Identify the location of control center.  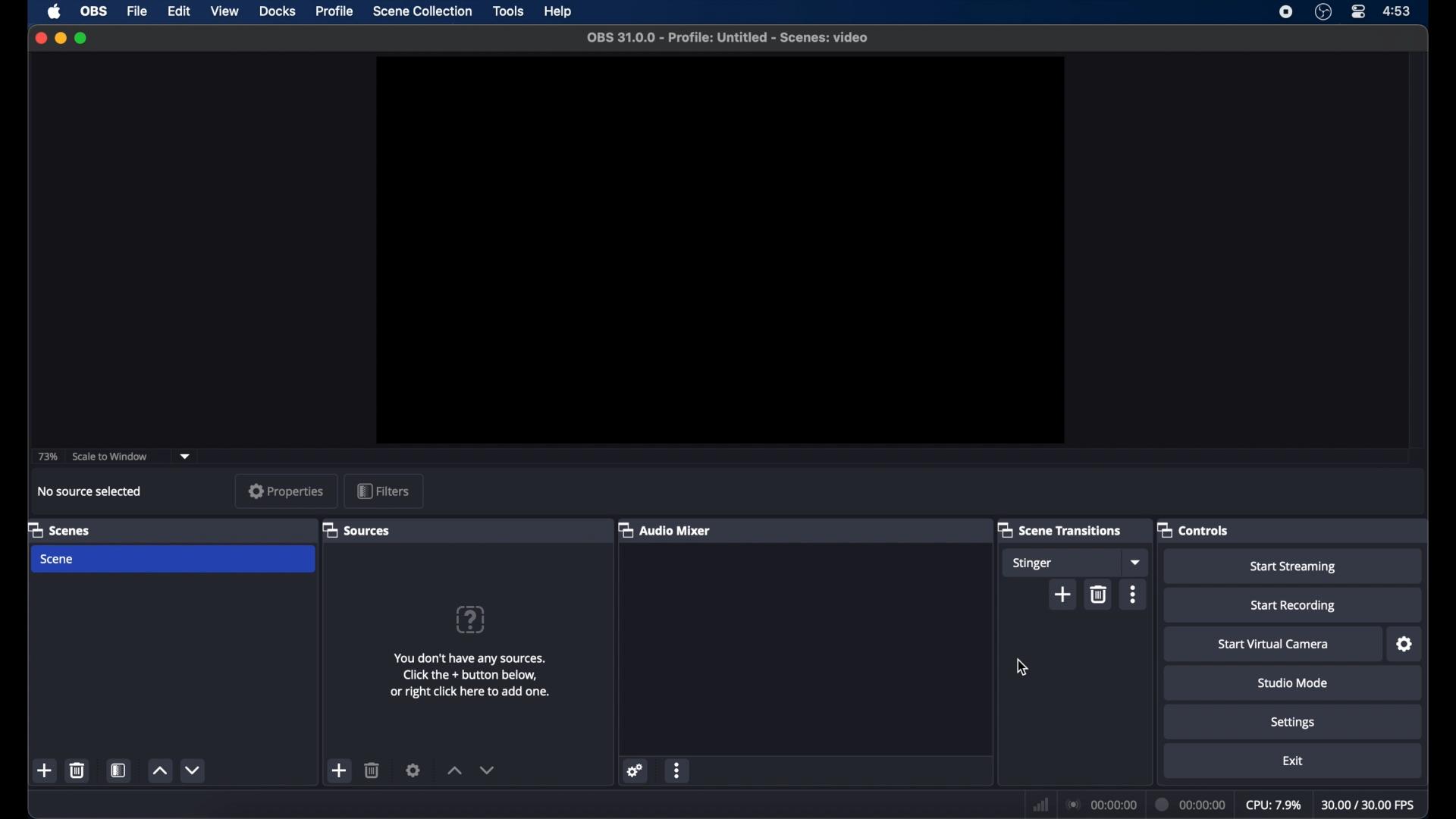
(1359, 12).